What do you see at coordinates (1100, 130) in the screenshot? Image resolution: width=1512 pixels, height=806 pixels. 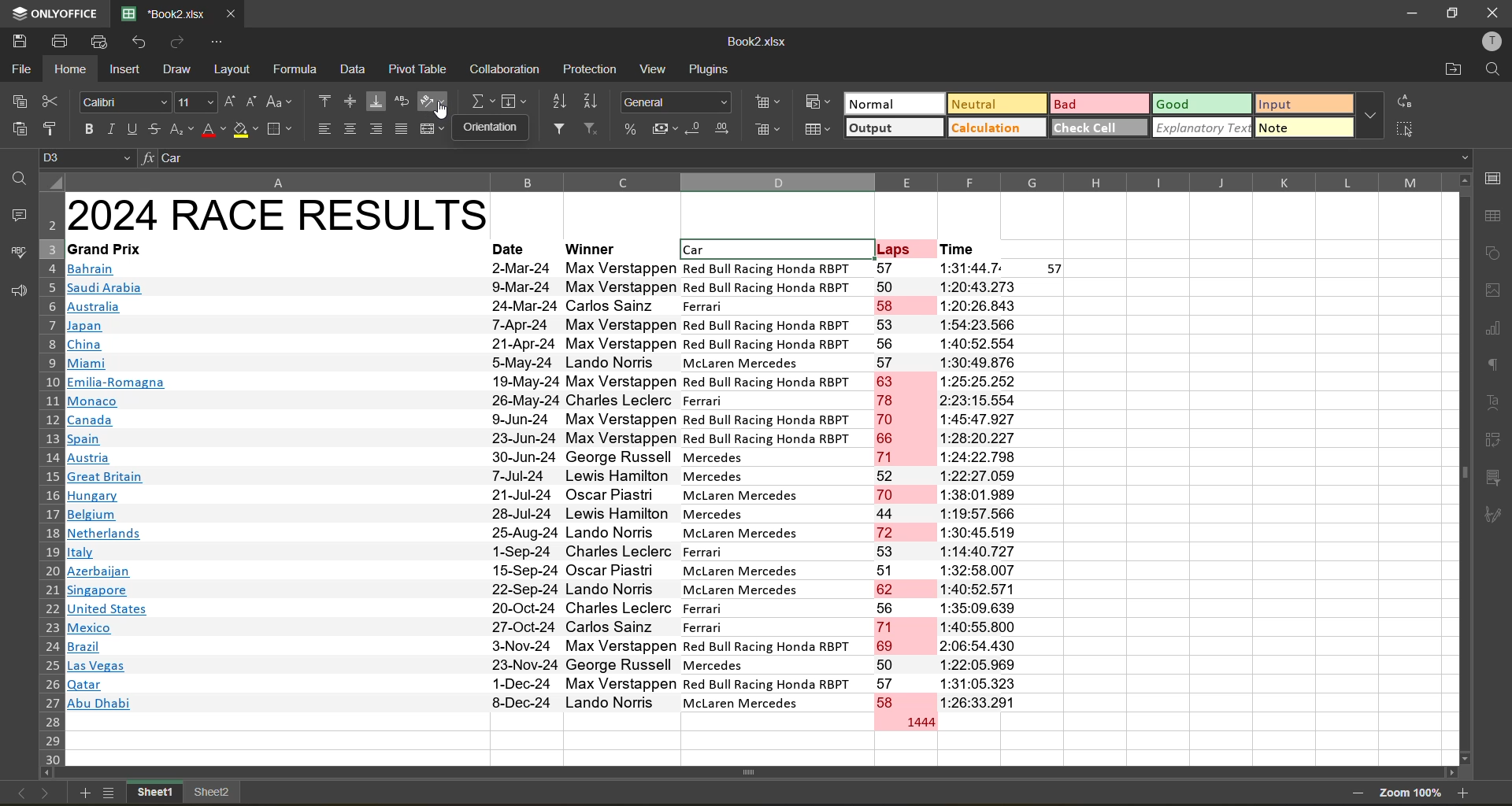 I see `check cell` at bounding box center [1100, 130].